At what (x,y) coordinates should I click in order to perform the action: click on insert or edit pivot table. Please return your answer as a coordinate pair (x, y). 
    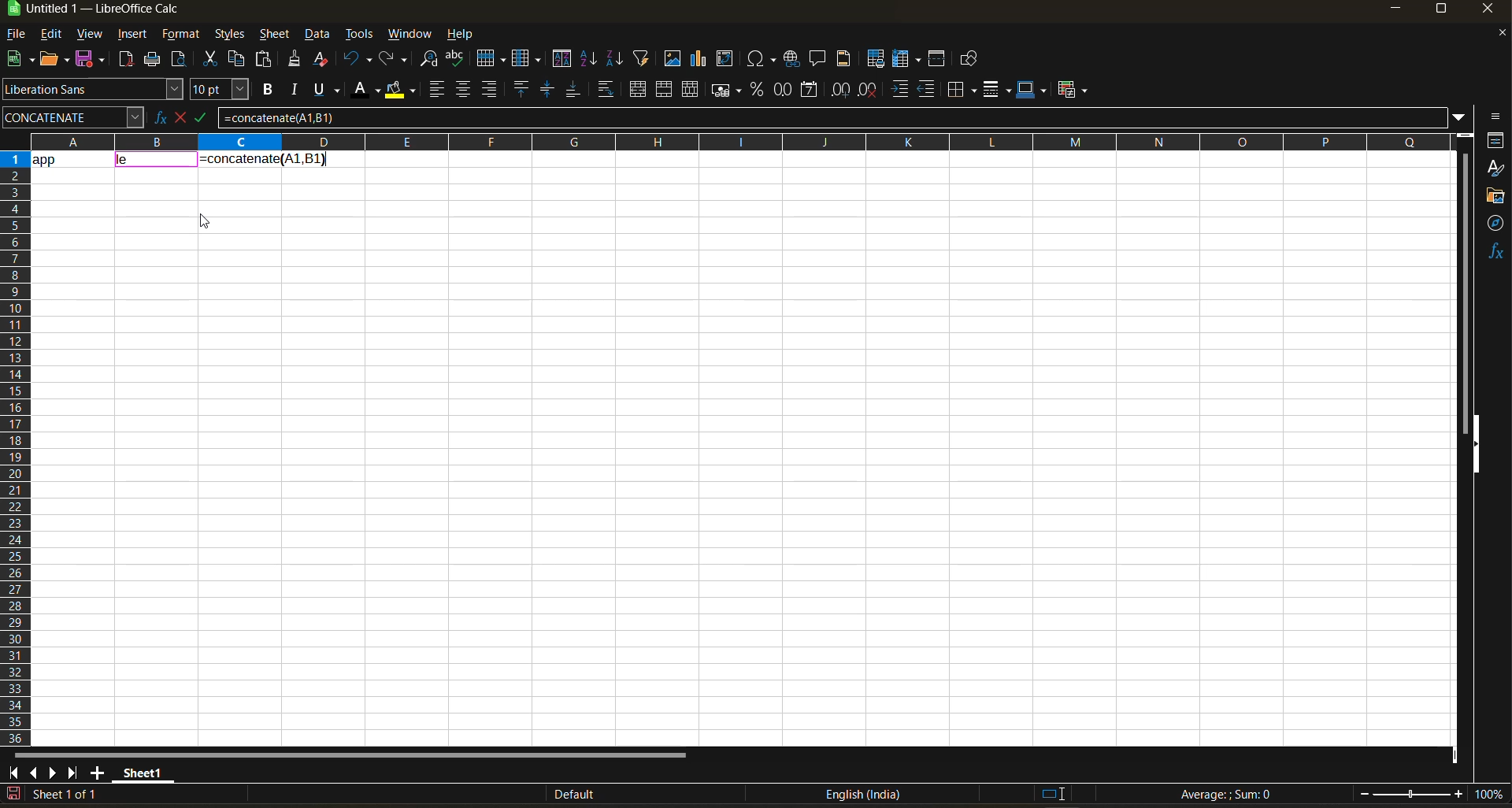
    Looking at the image, I should click on (726, 60).